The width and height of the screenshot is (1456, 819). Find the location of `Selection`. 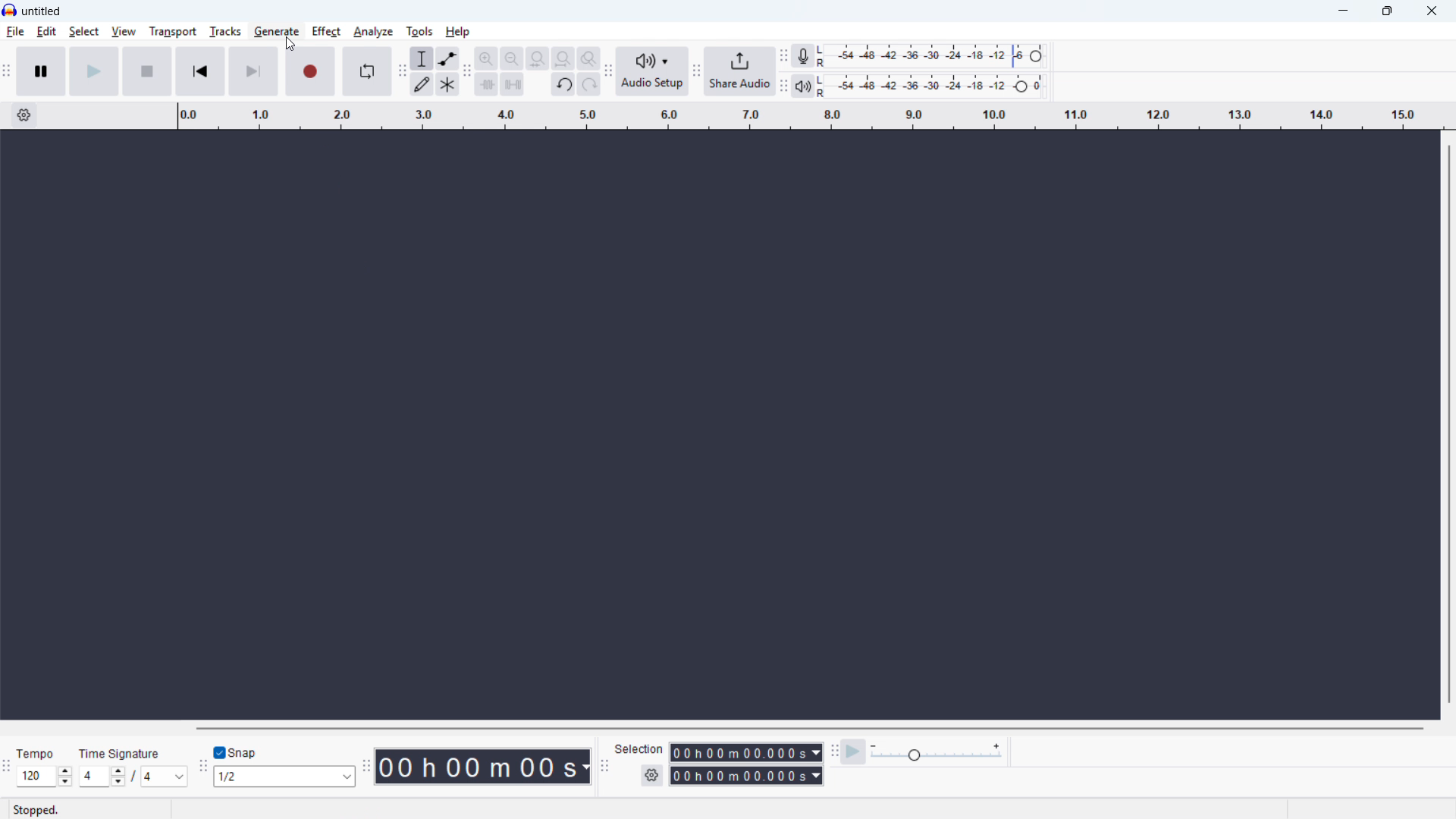

Selection is located at coordinates (641, 750).